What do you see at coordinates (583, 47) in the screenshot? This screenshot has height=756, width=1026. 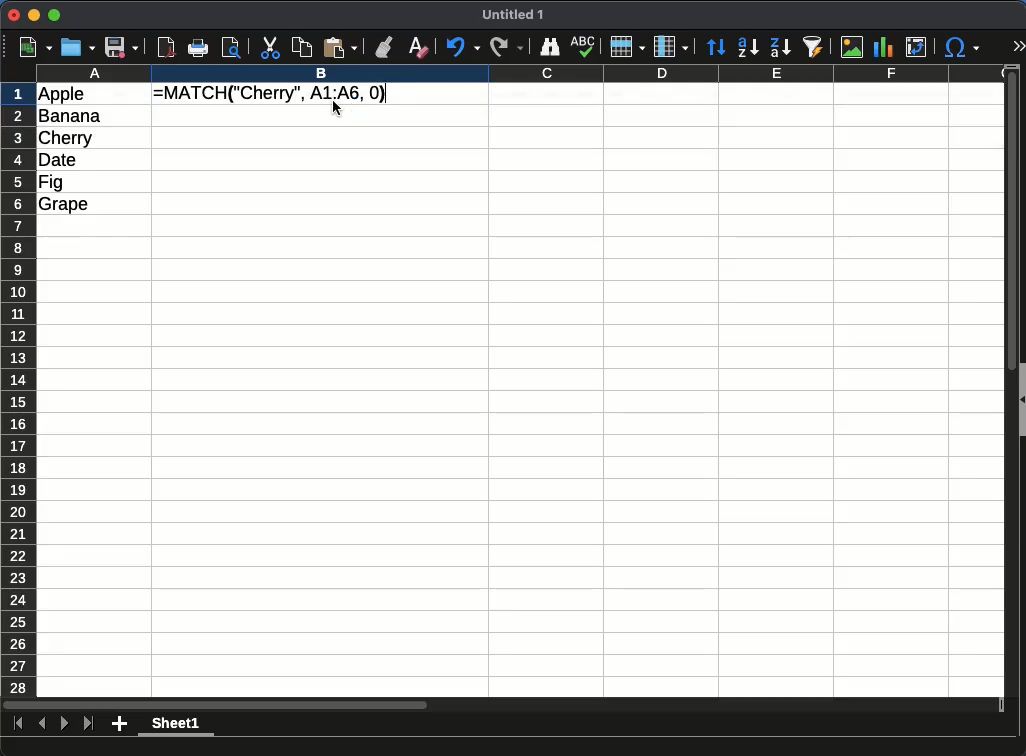 I see `spell check` at bounding box center [583, 47].